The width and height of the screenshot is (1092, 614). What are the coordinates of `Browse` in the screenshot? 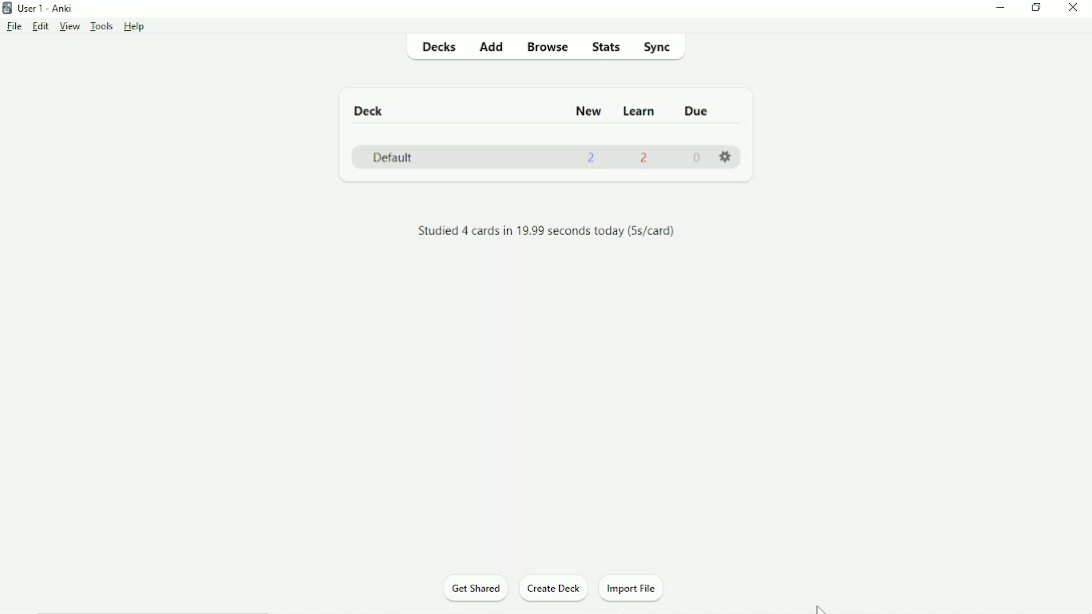 It's located at (551, 46).